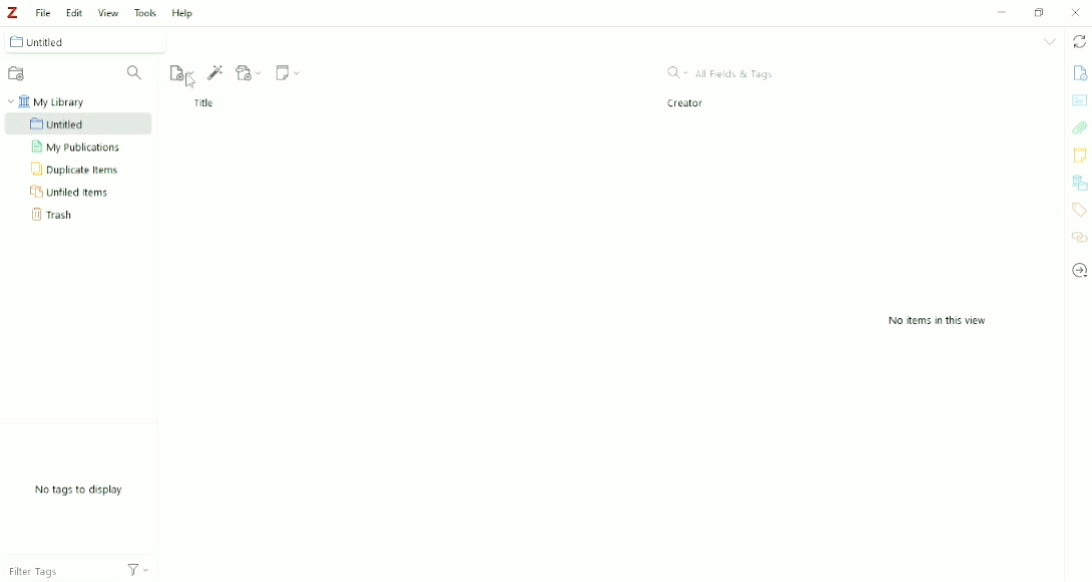 Image resolution: width=1092 pixels, height=582 pixels. Describe the element at coordinates (145, 569) in the screenshot. I see `Actions` at that location.